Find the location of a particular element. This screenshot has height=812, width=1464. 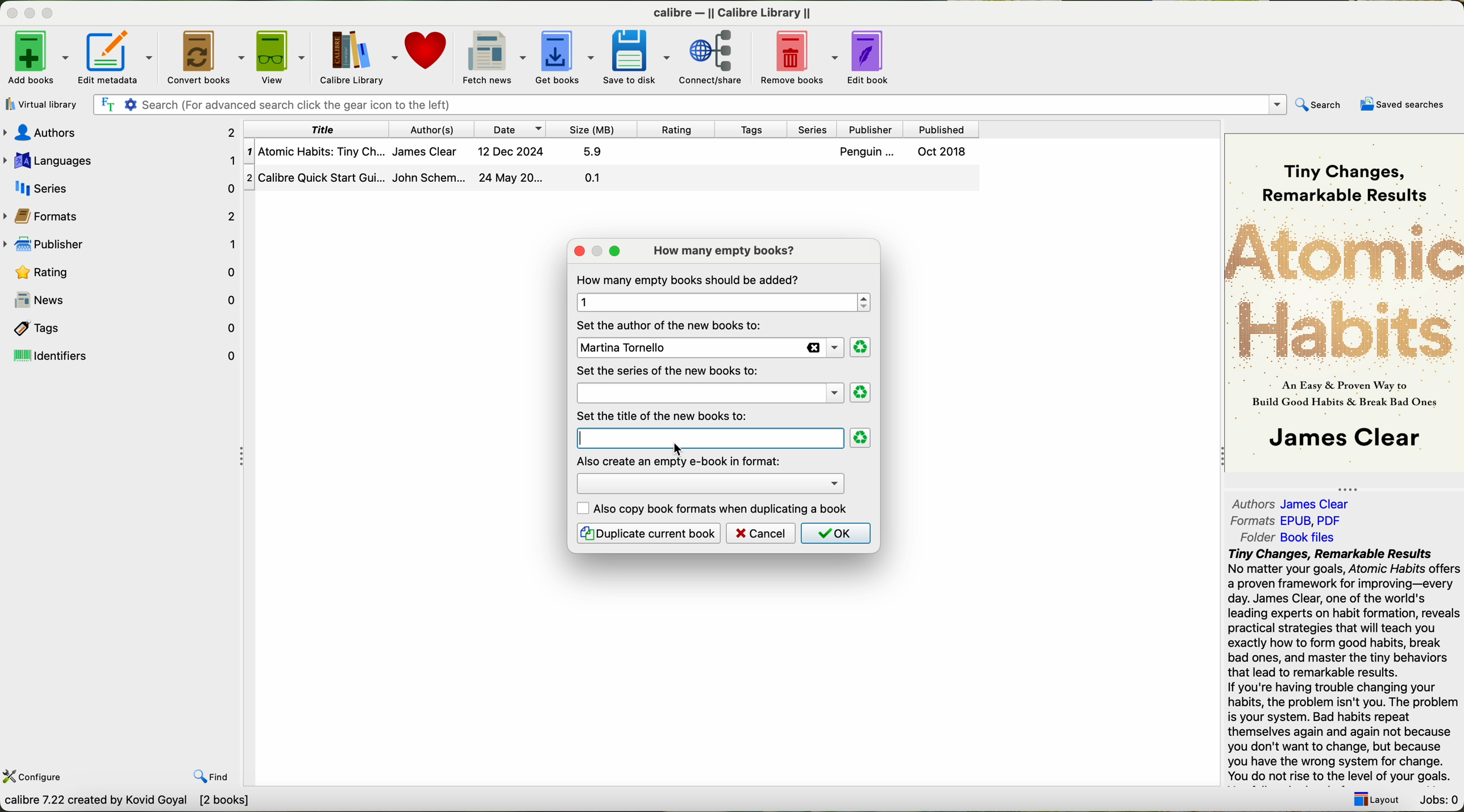

click on add books options is located at coordinates (38, 57).